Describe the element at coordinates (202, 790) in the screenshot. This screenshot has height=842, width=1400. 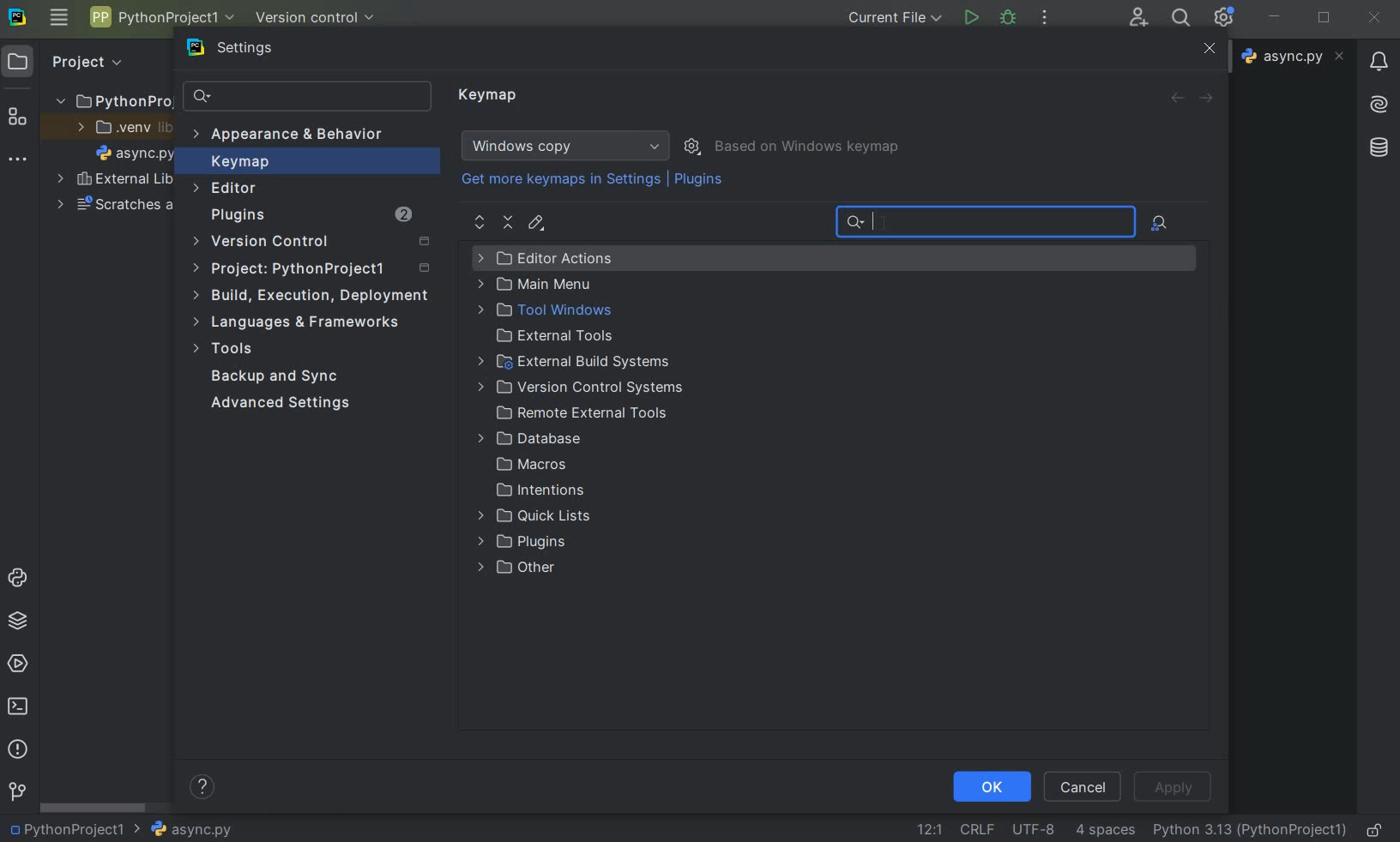
I see `show help contents` at that location.